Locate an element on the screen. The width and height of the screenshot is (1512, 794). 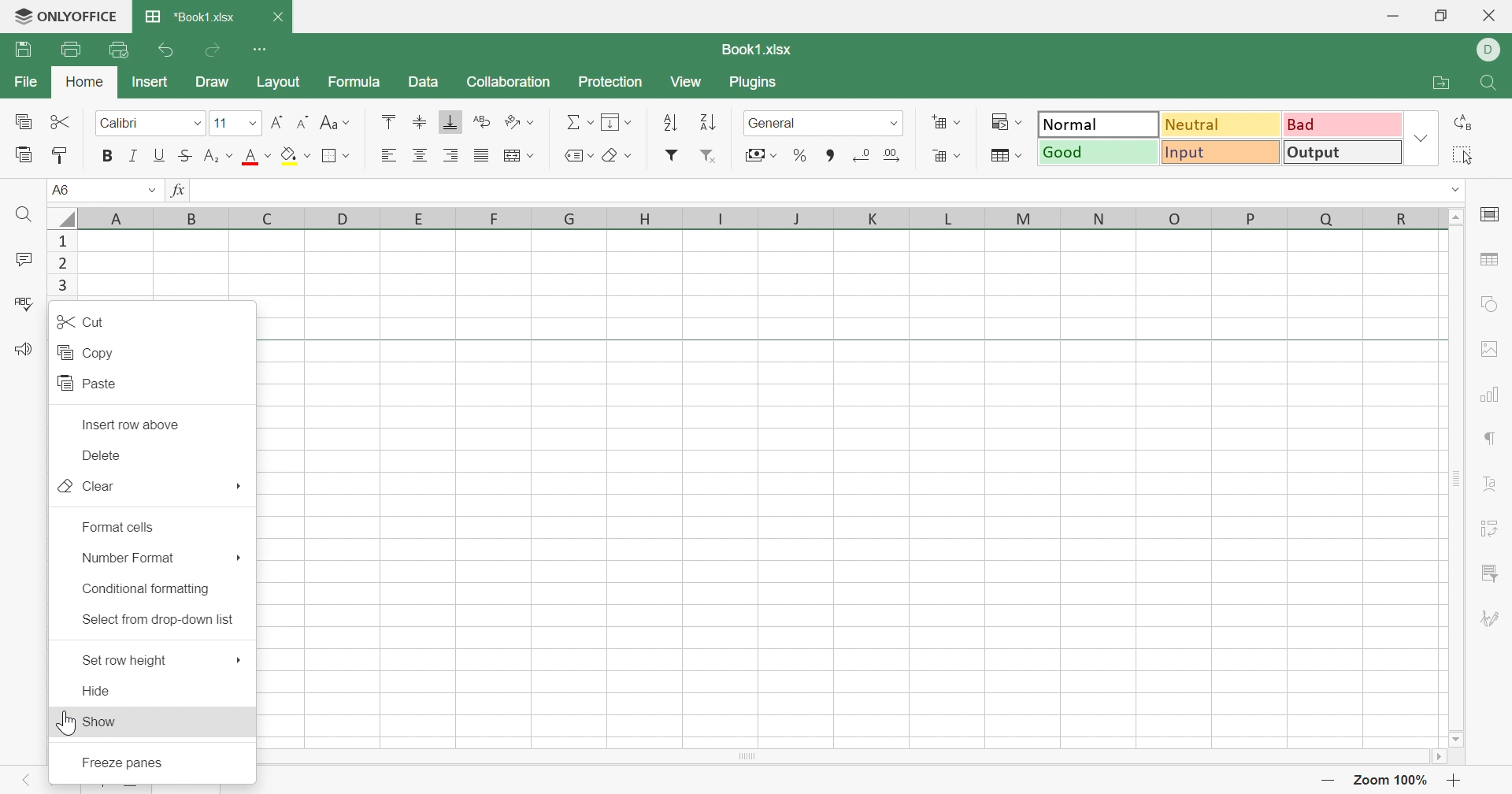
Insert is located at coordinates (150, 82).